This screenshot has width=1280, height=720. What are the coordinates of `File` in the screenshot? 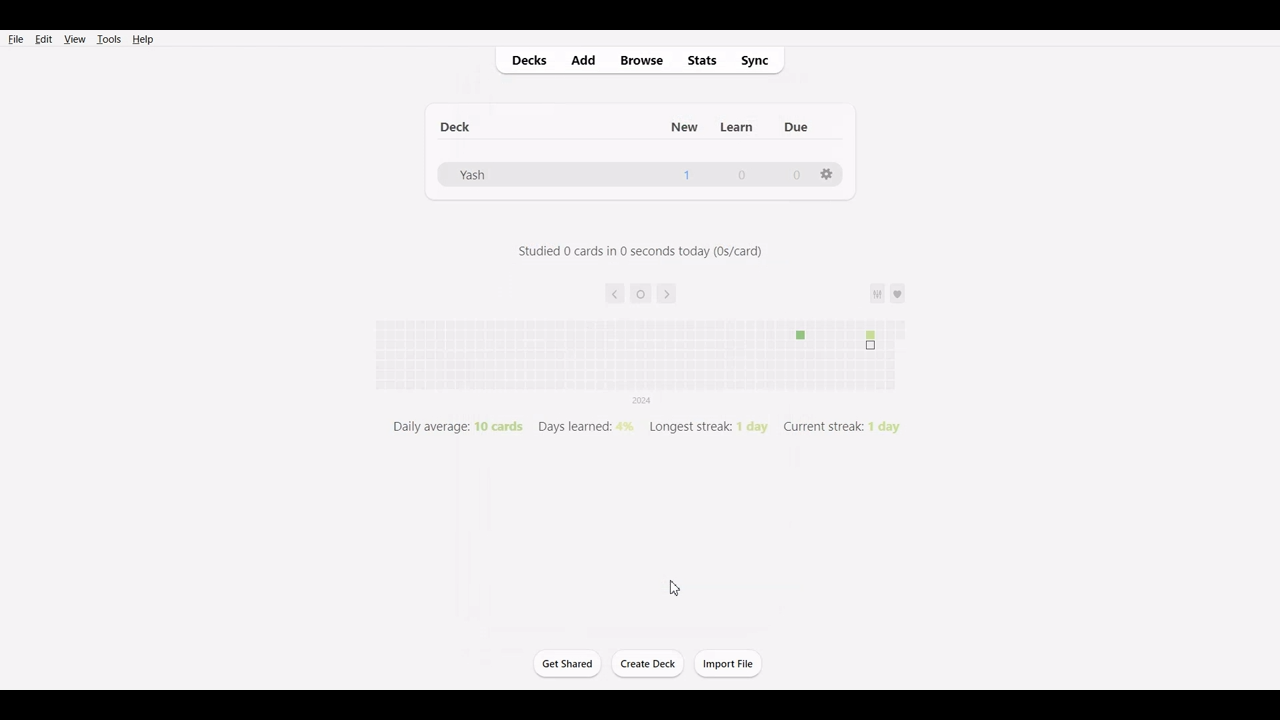 It's located at (16, 38).